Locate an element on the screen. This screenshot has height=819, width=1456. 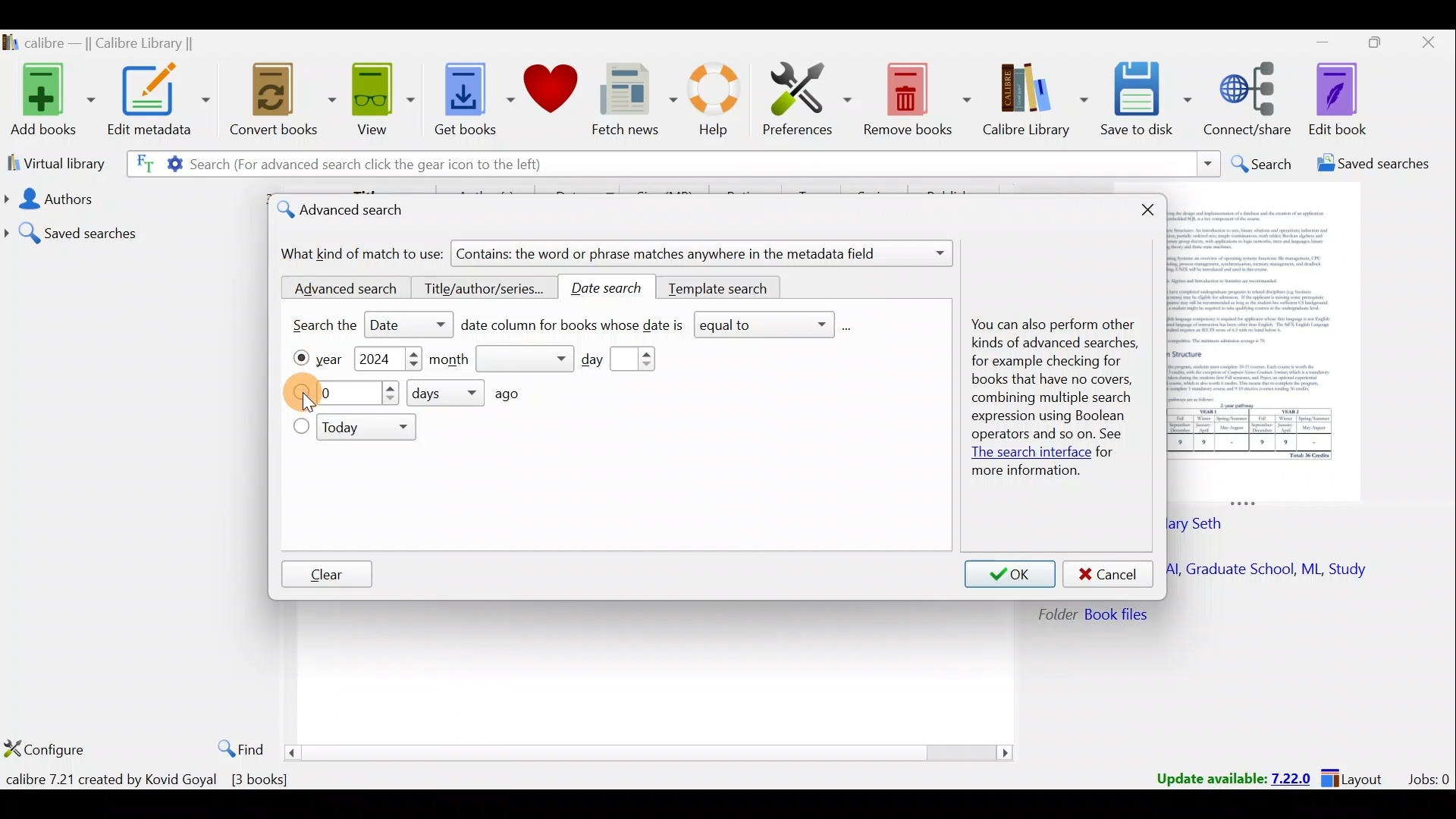
How many days ago? is located at coordinates (477, 393).